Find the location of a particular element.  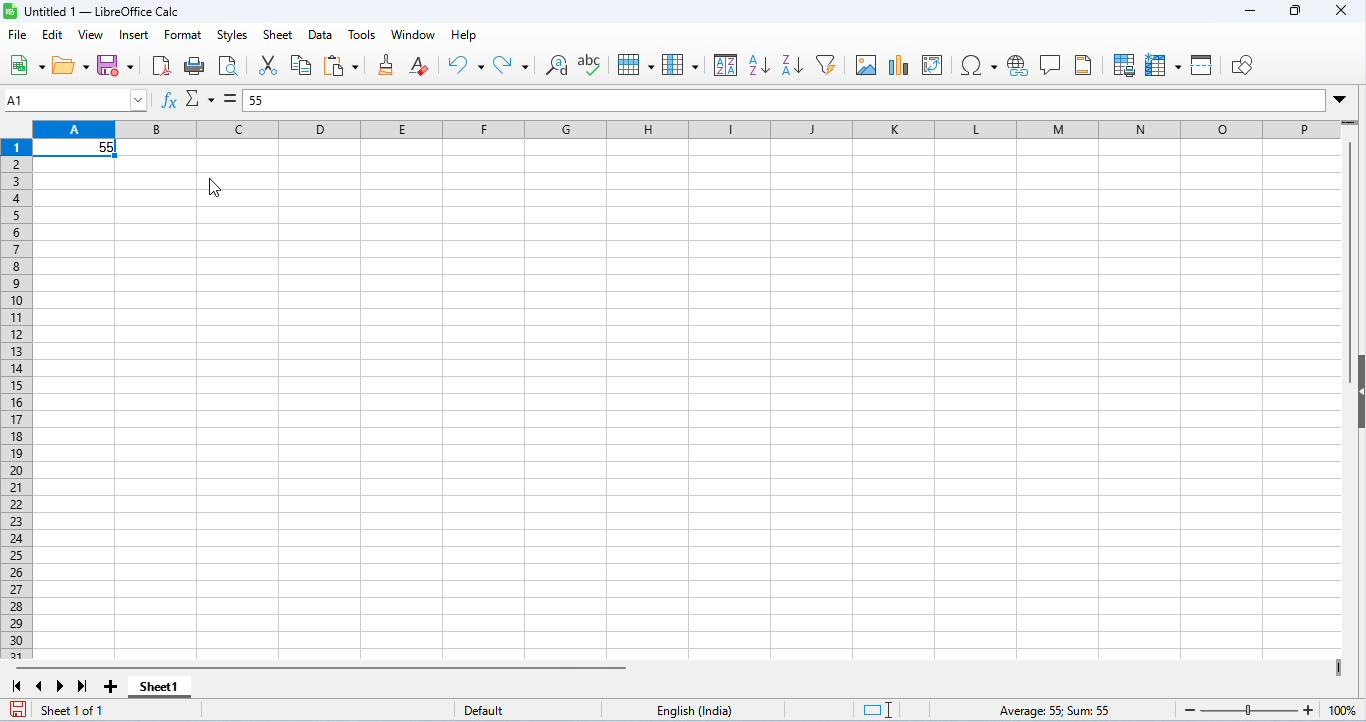

english is located at coordinates (698, 711).